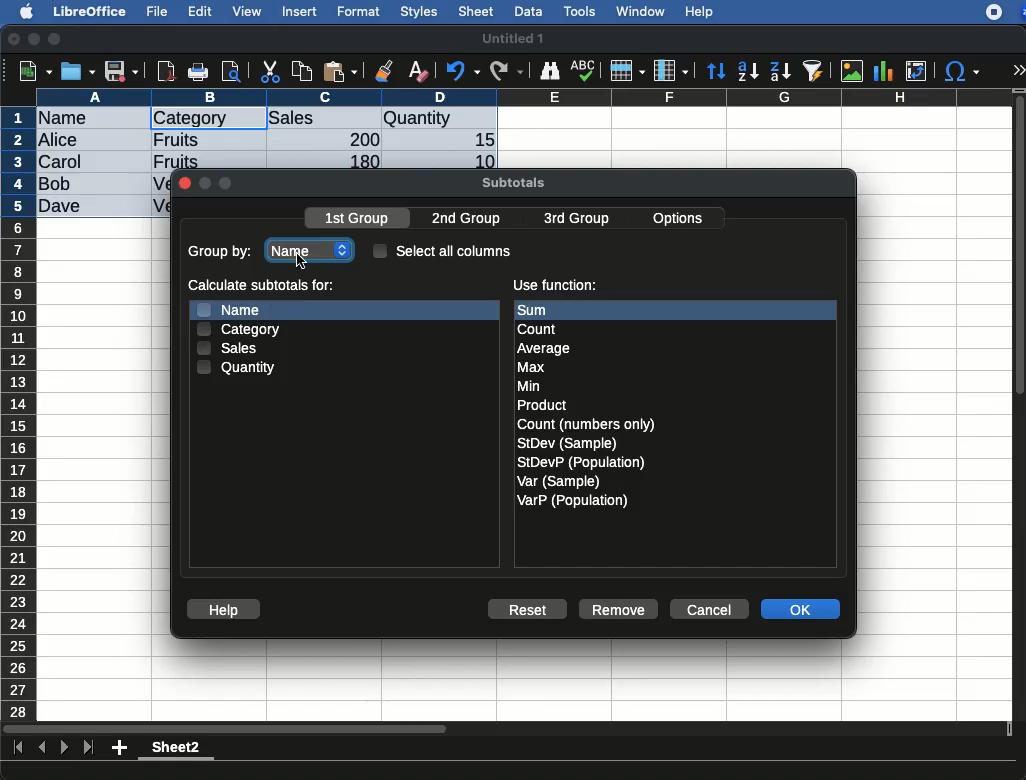 Image resolution: width=1026 pixels, height=780 pixels. What do you see at coordinates (177, 139) in the screenshot?
I see `Fruits` at bounding box center [177, 139].